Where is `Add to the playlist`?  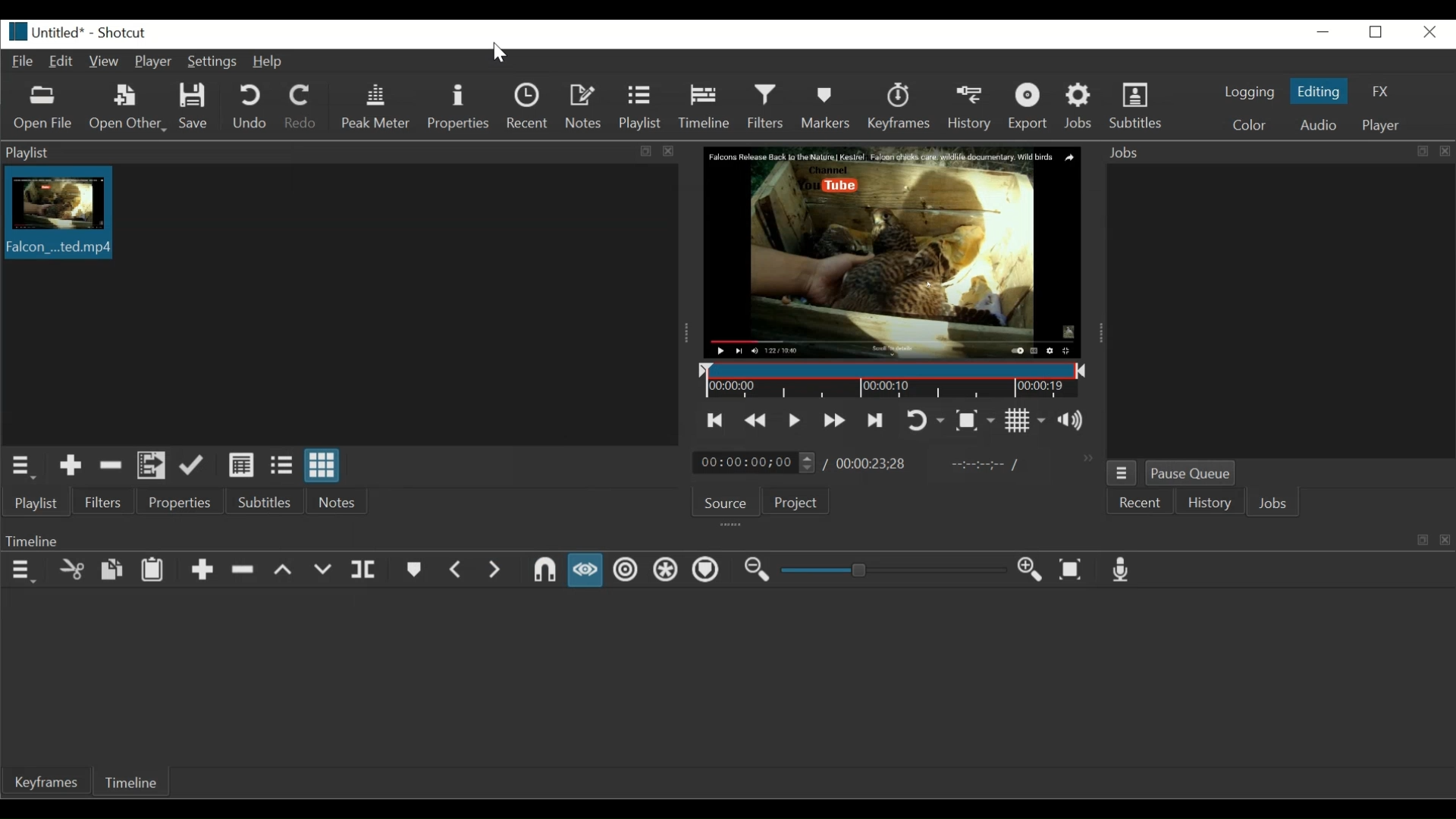
Add to the playlist is located at coordinates (70, 466).